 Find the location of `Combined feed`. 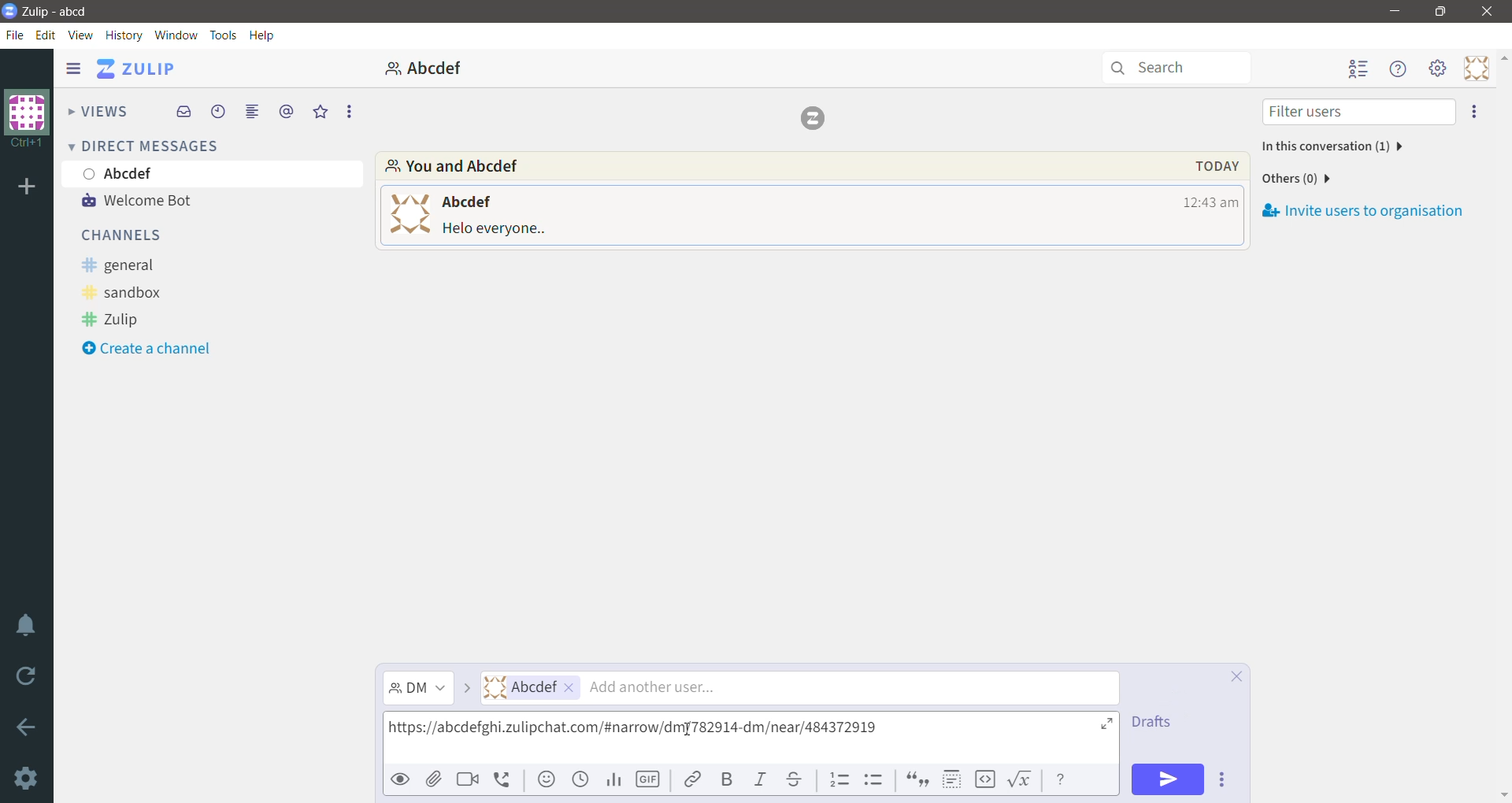

Combined feed is located at coordinates (252, 112).